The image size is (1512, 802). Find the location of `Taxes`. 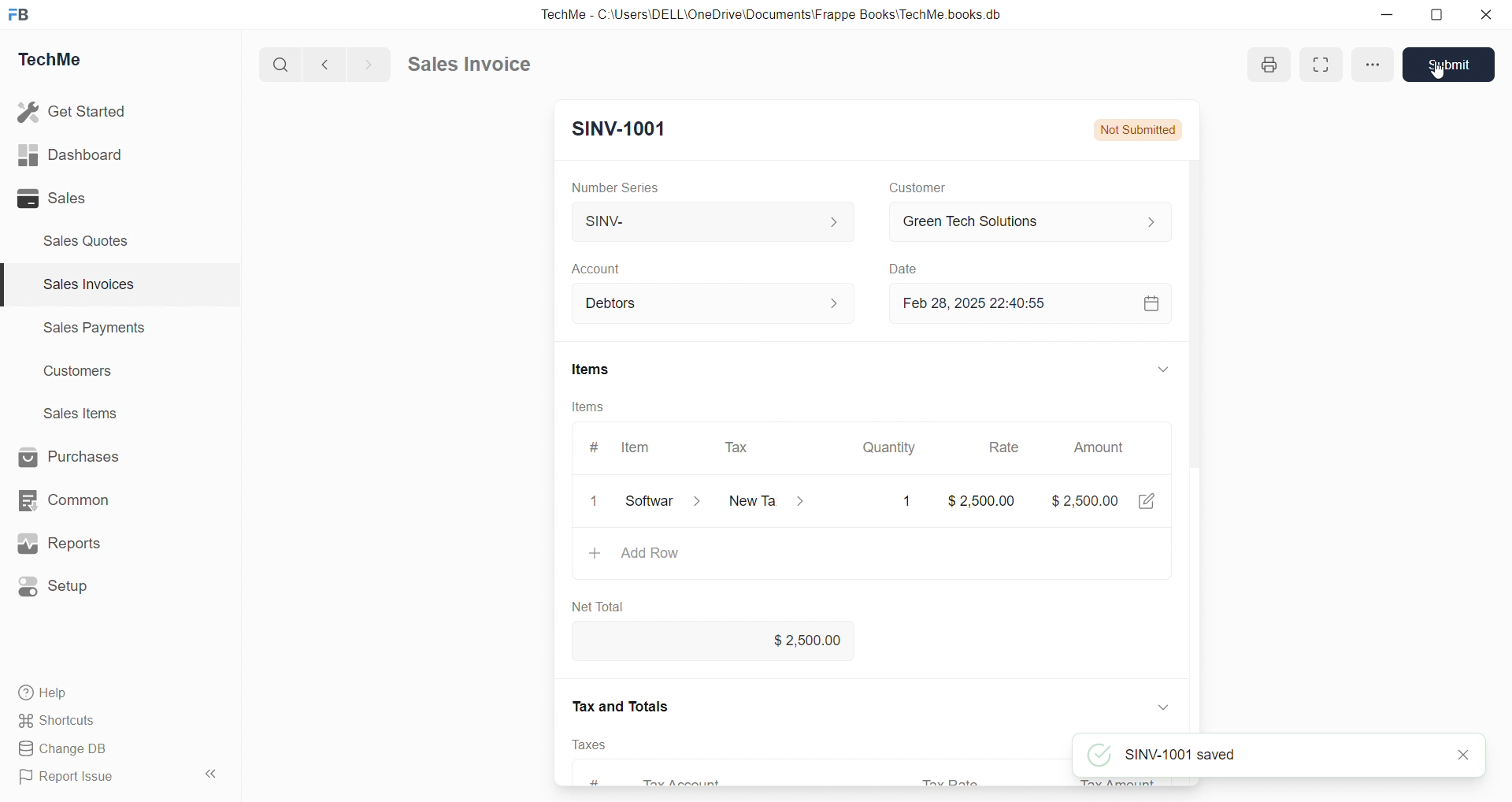

Taxes is located at coordinates (590, 745).